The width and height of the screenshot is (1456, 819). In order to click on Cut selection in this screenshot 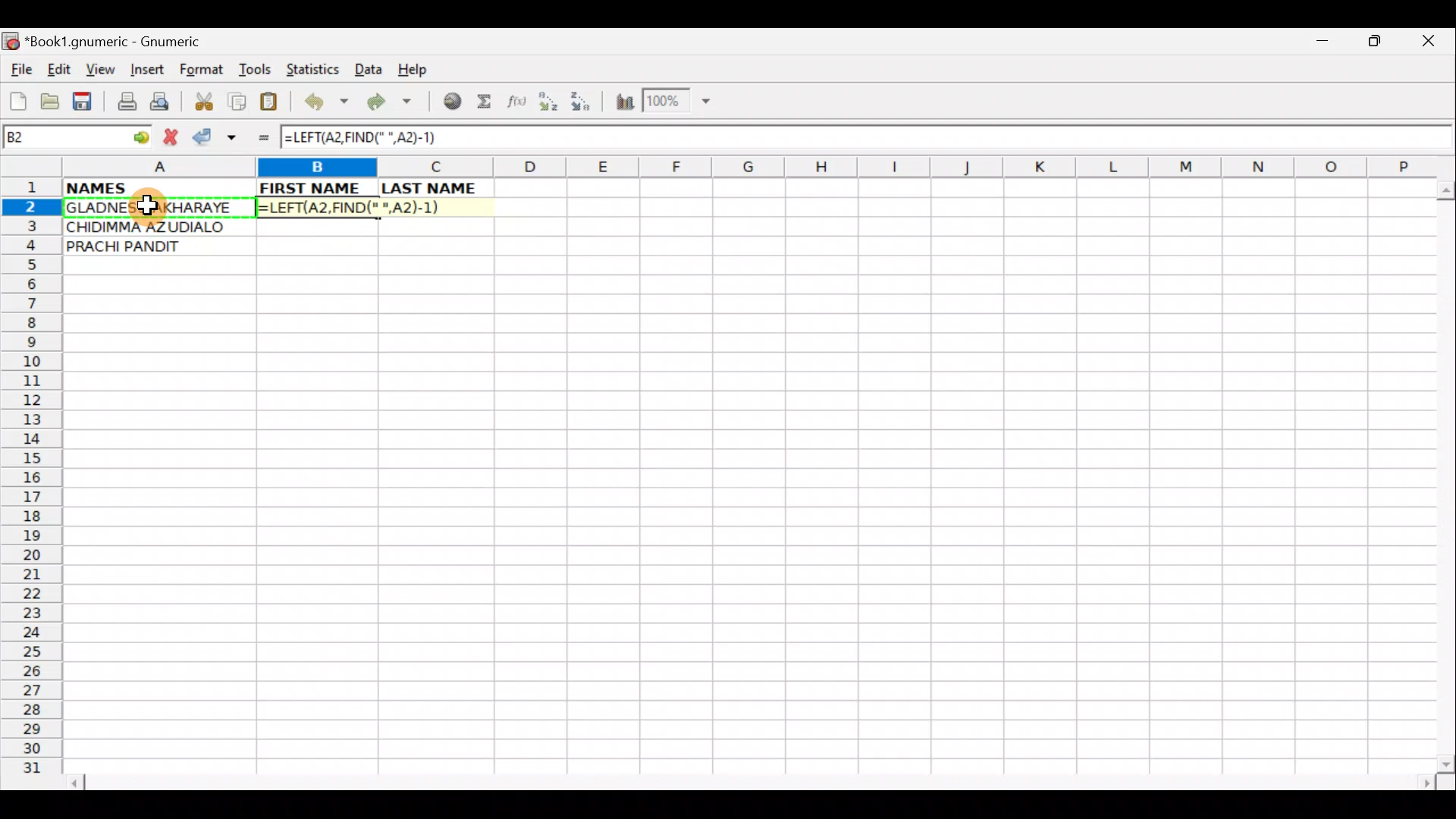, I will do `click(203, 99)`.